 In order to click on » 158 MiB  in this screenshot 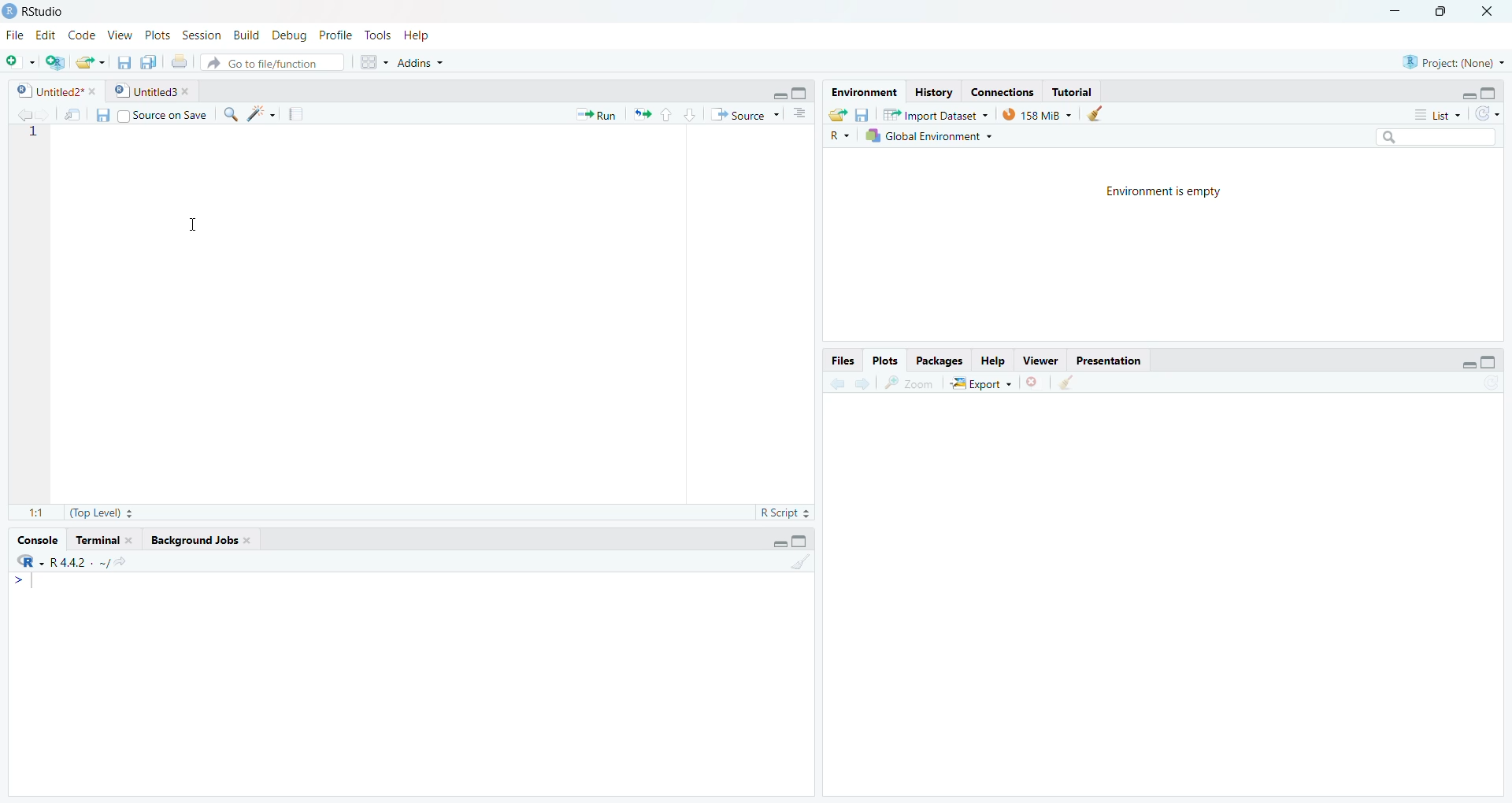, I will do `click(1038, 114)`.